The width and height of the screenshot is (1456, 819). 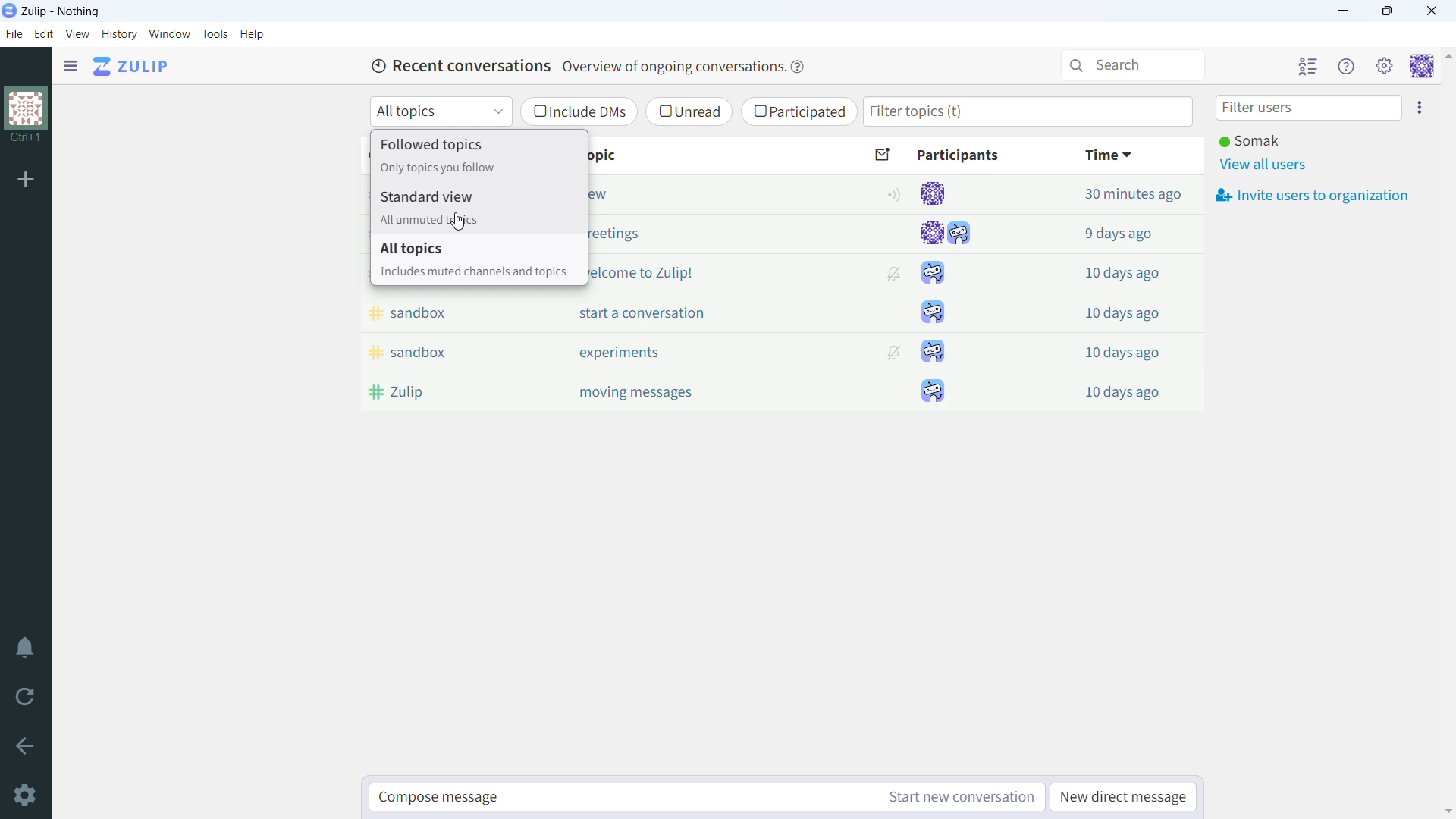 What do you see at coordinates (1389, 11) in the screenshot?
I see `maximize` at bounding box center [1389, 11].